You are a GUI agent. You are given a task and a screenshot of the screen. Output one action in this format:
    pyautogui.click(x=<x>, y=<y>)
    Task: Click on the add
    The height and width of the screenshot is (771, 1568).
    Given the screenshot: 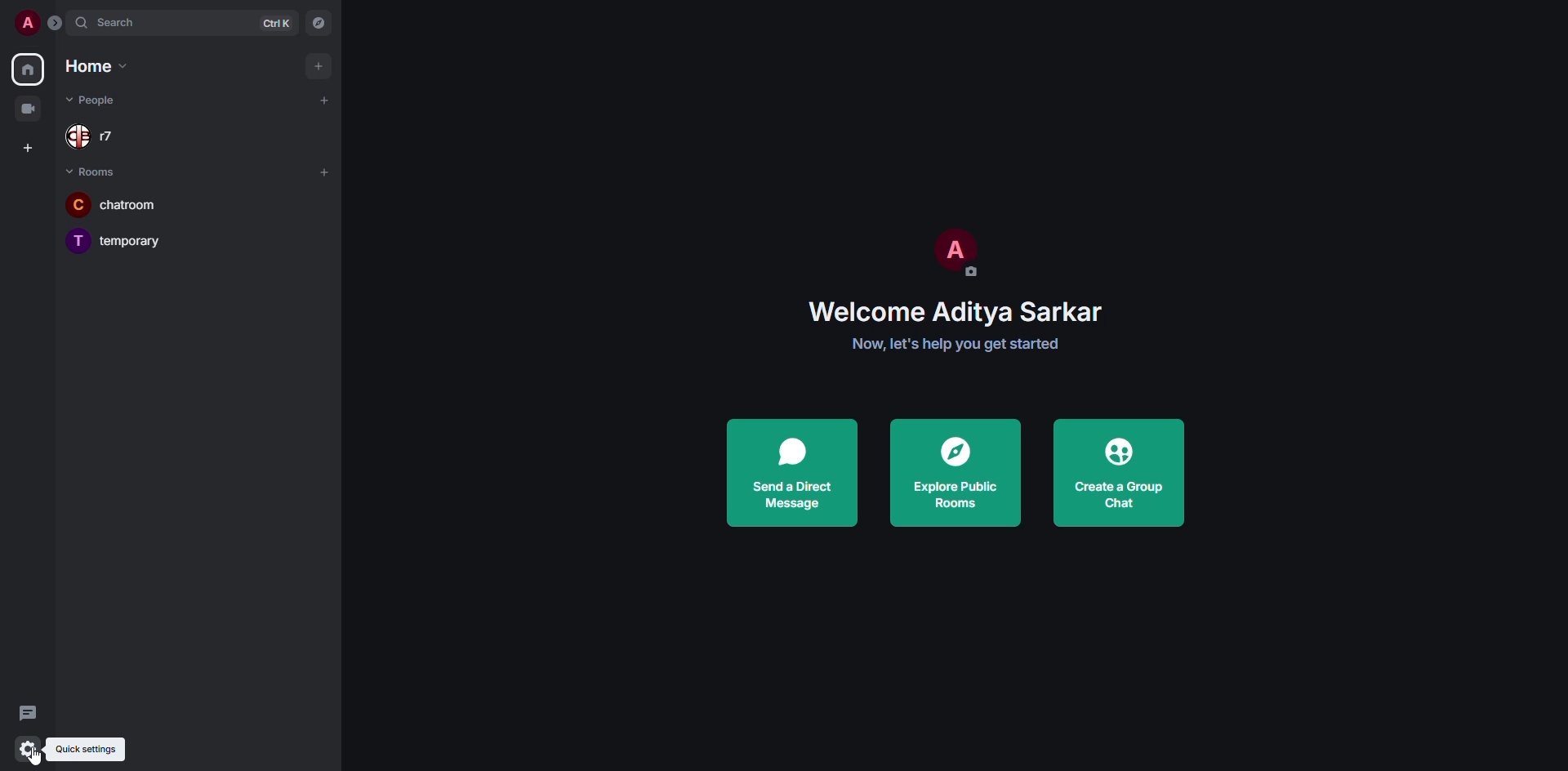 What is the action you would take?
    pyautogui.click(x=323, y=172)
    